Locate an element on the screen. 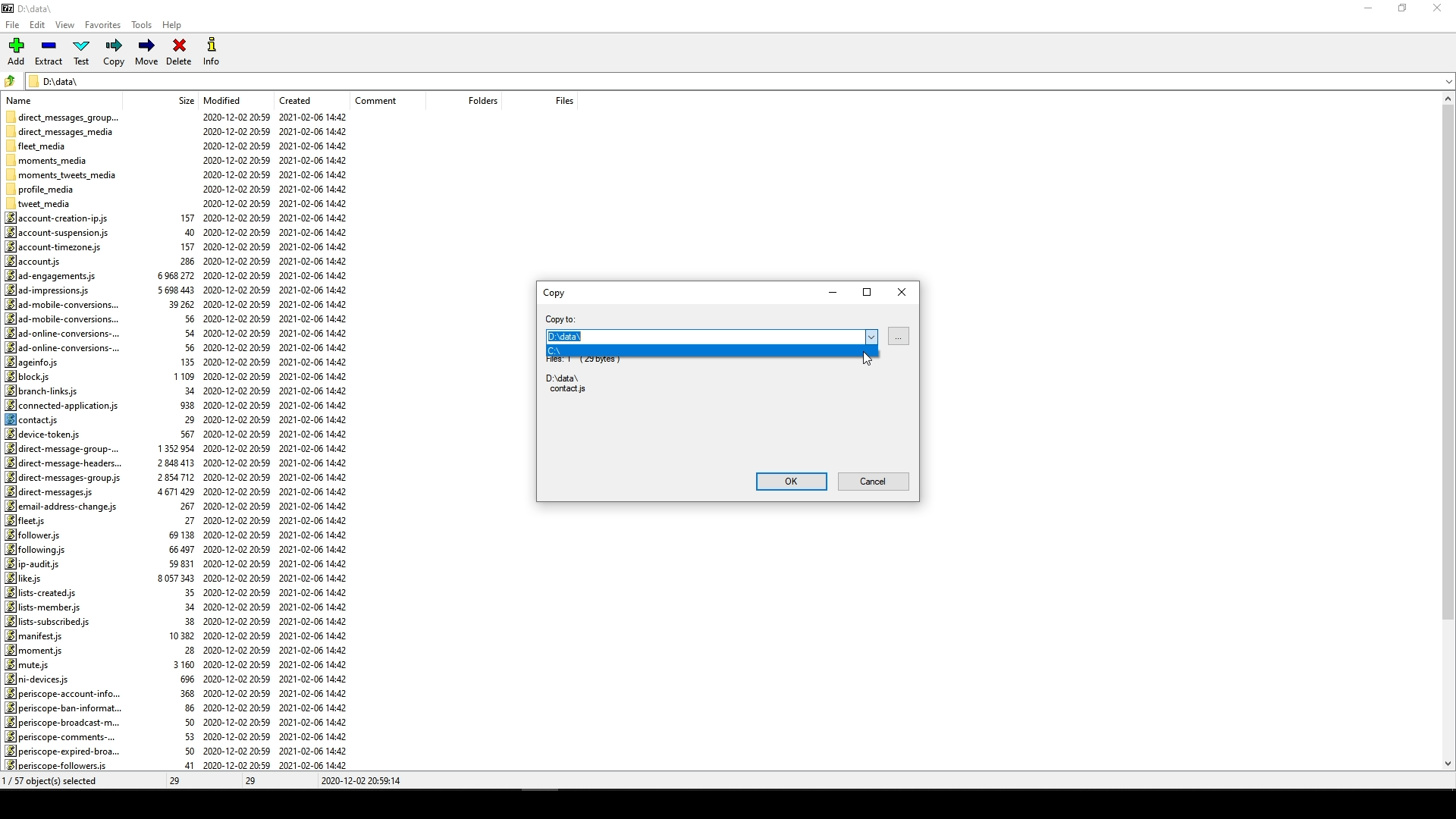  mute.js is located at coordinates (28, 664).